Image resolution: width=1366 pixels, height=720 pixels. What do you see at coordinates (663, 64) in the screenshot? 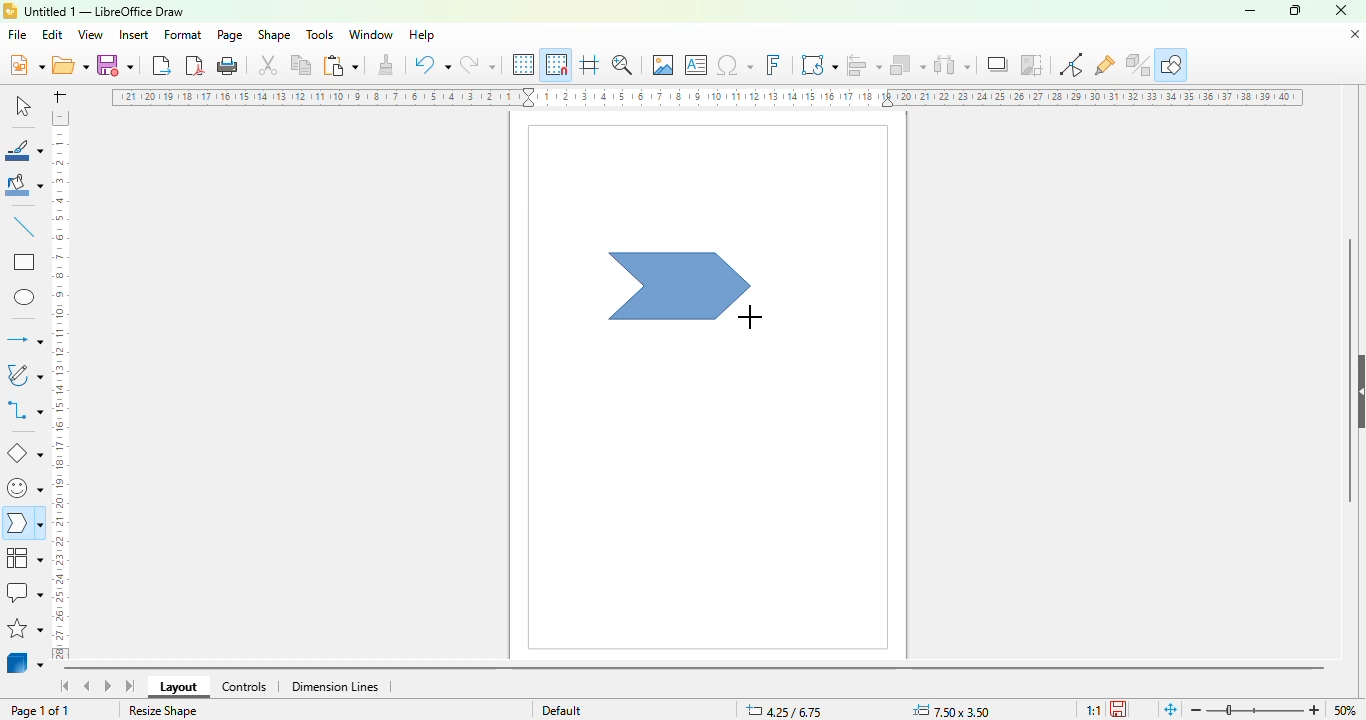
I see `insert image` at bounding box center [663, 64].